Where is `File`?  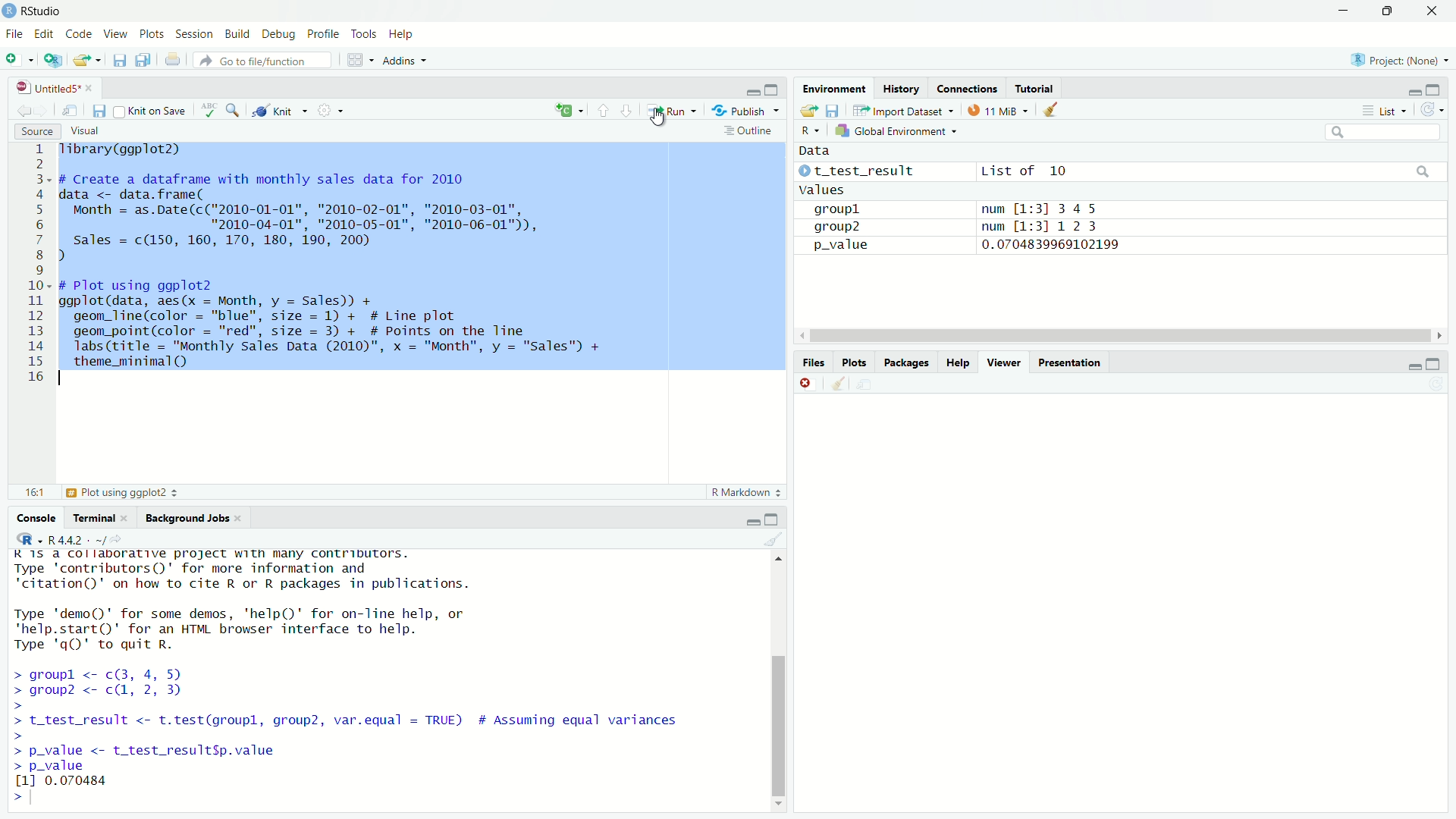 File is located at coordinates (14, 31).